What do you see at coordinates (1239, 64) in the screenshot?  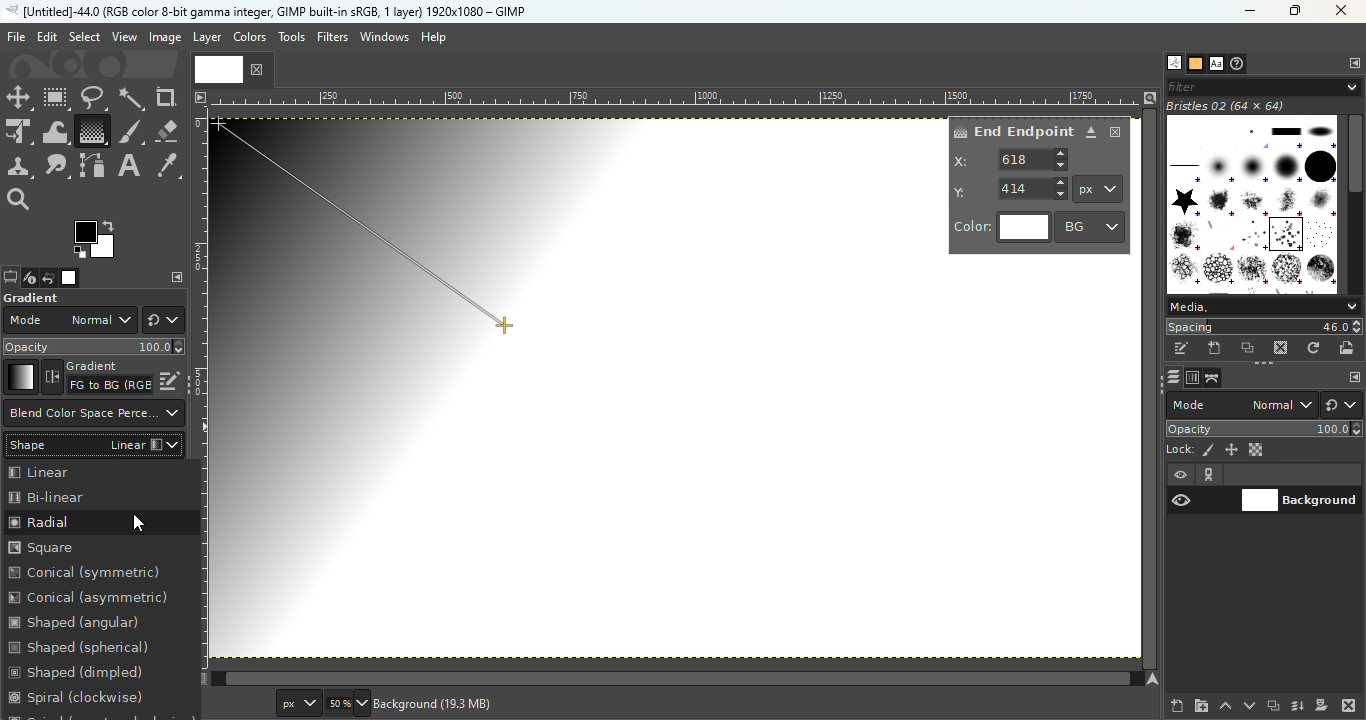 I see `Open the document history dialog` at bounding box center [1239, 64].